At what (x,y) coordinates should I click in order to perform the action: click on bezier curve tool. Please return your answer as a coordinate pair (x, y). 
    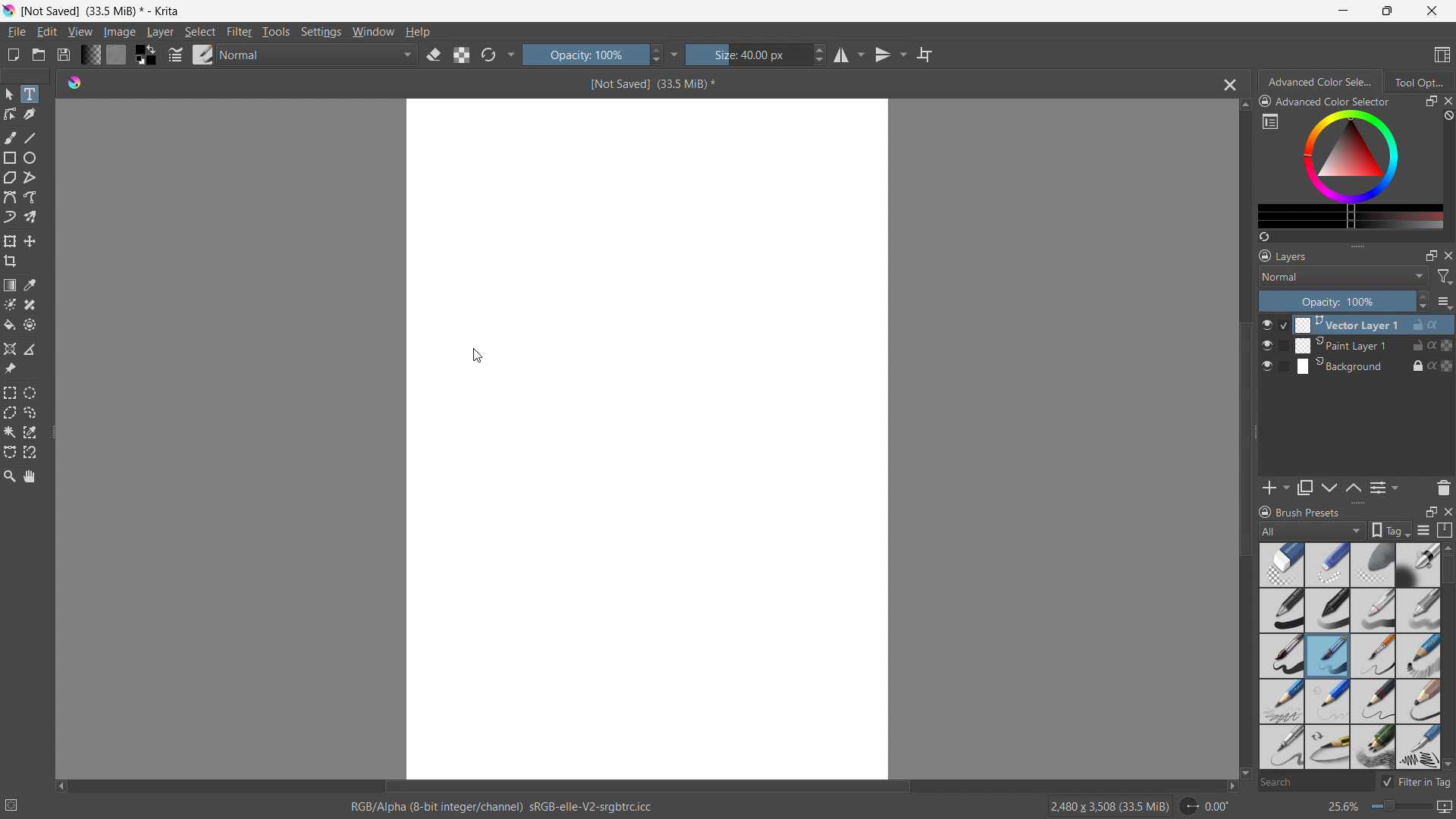
    Looking at the image, I should click on (10, 197).